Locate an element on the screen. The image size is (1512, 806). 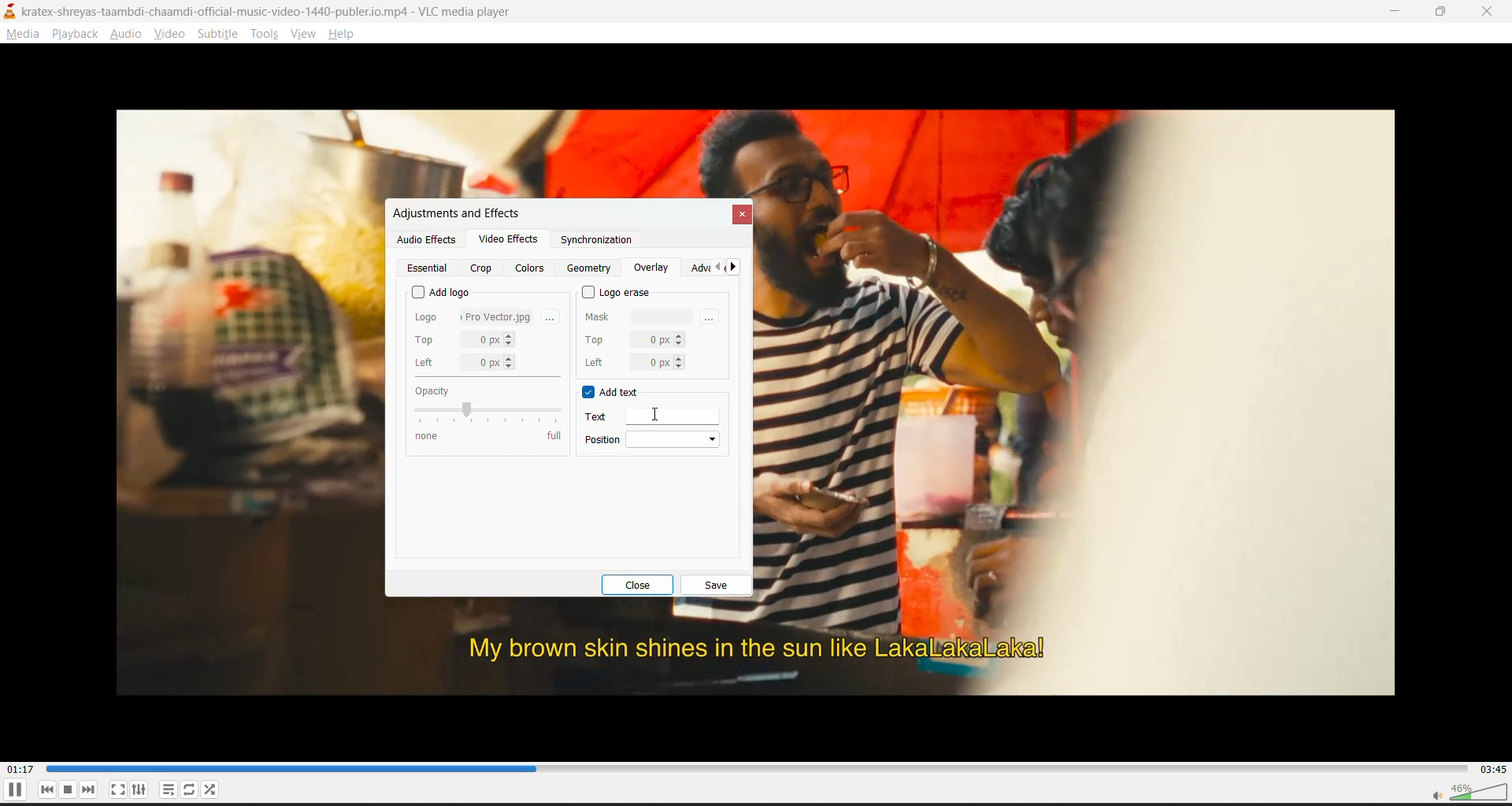
overlay is located at coordinates (651, 268).